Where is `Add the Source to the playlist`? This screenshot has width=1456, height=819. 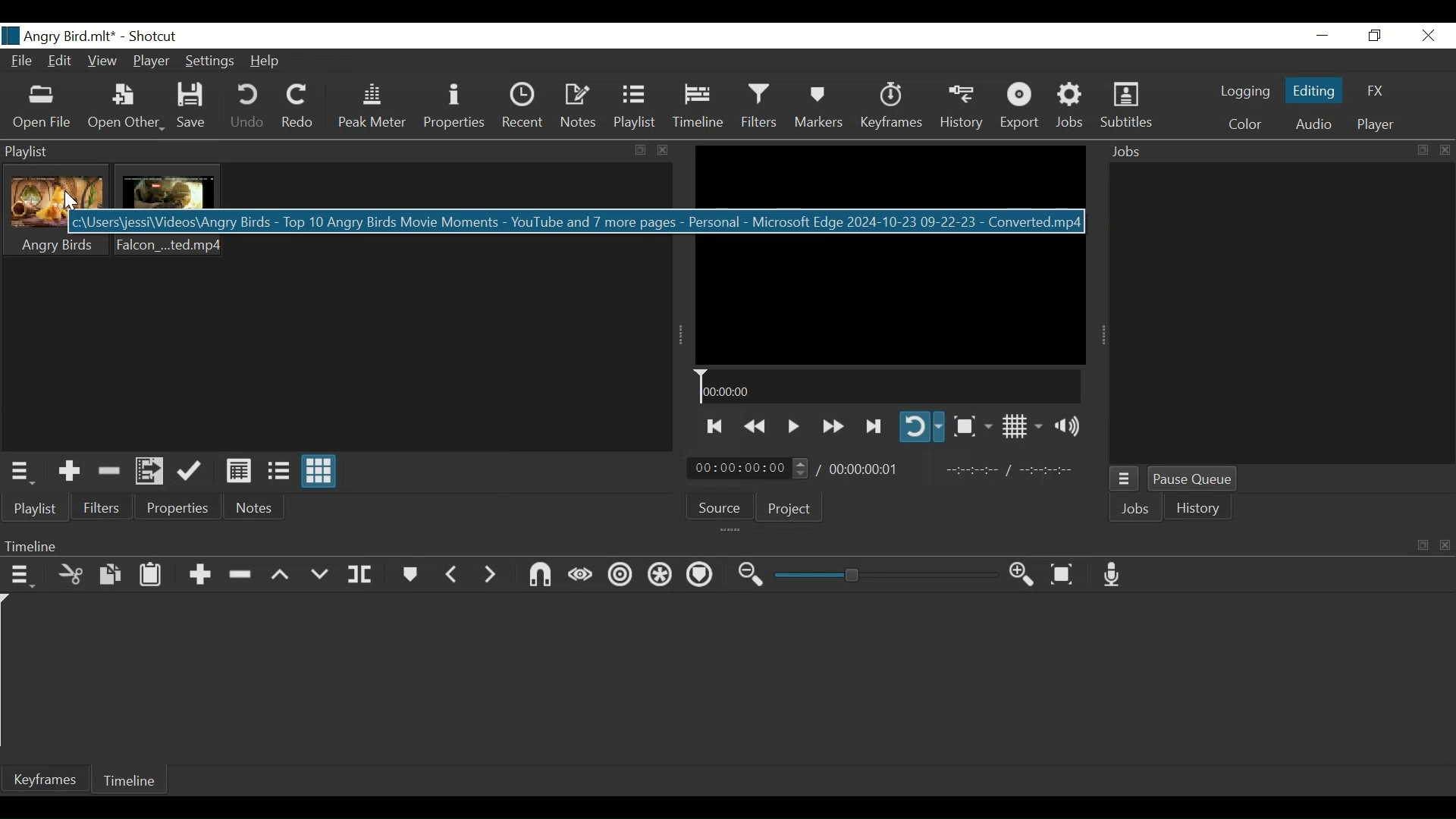
Add the Source to the playlist is located at coordinates (67, 471).